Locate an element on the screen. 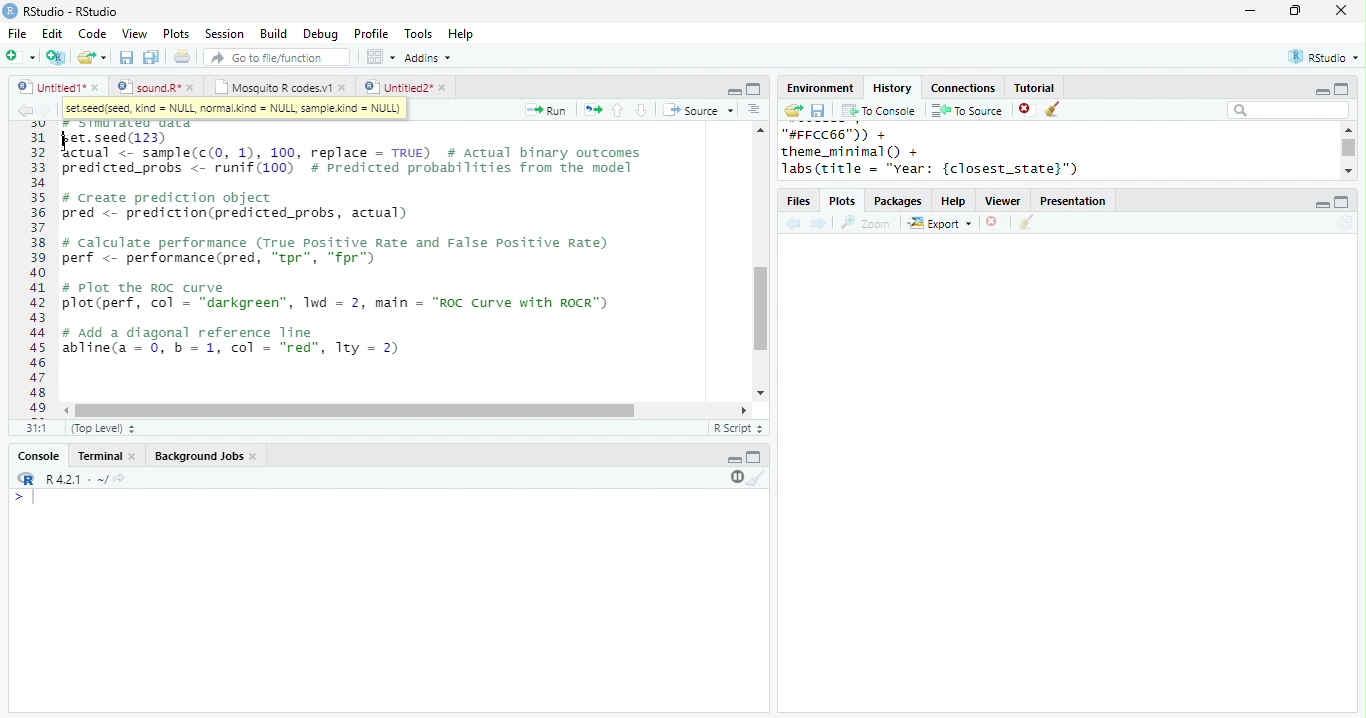 This screenshot has height=718, width=1366. new project is located at coordinates (57, 57).